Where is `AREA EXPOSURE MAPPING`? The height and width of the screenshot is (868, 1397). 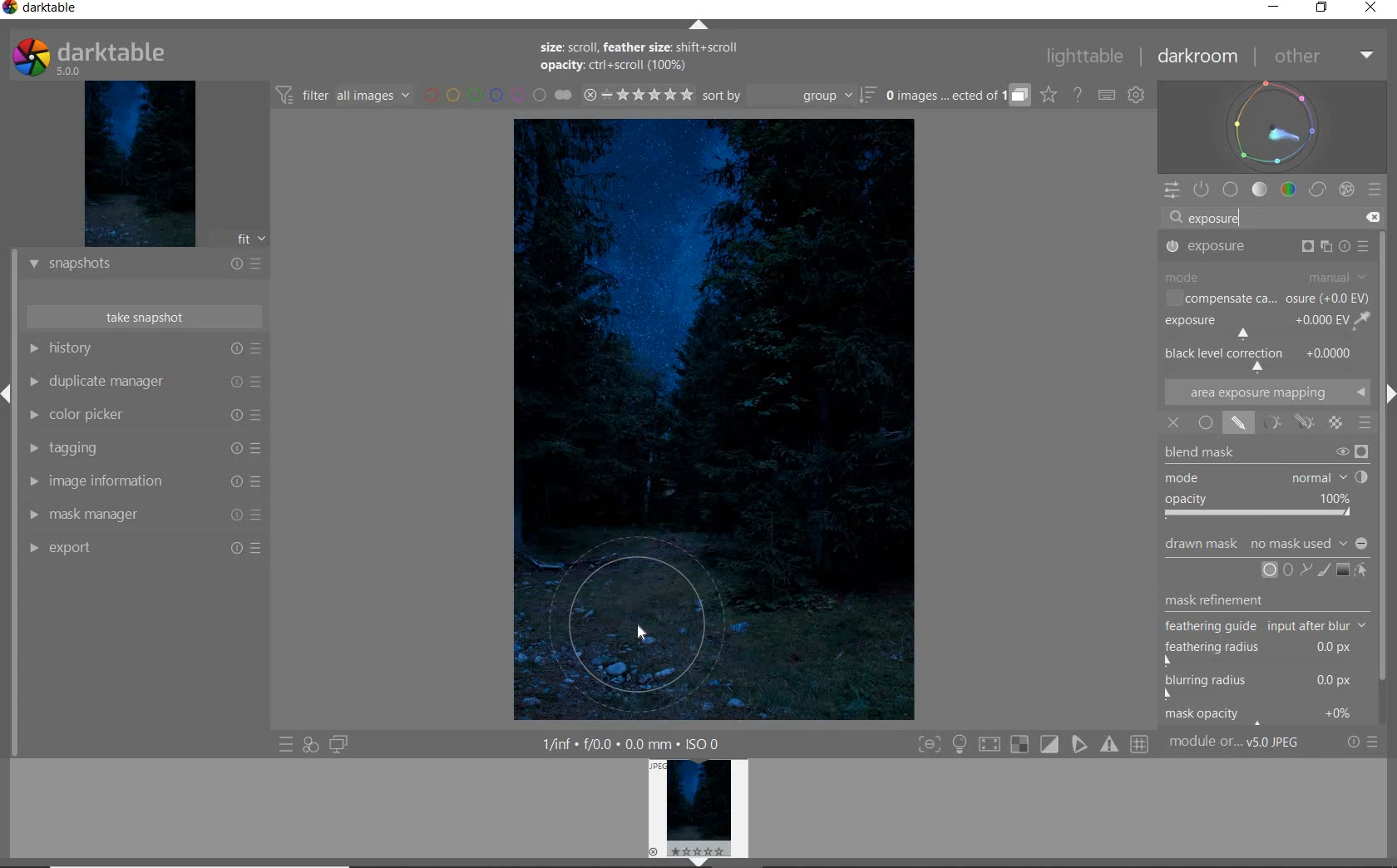
AREA EXPOSURE MAPPING is located at coordinates (1266, 391).